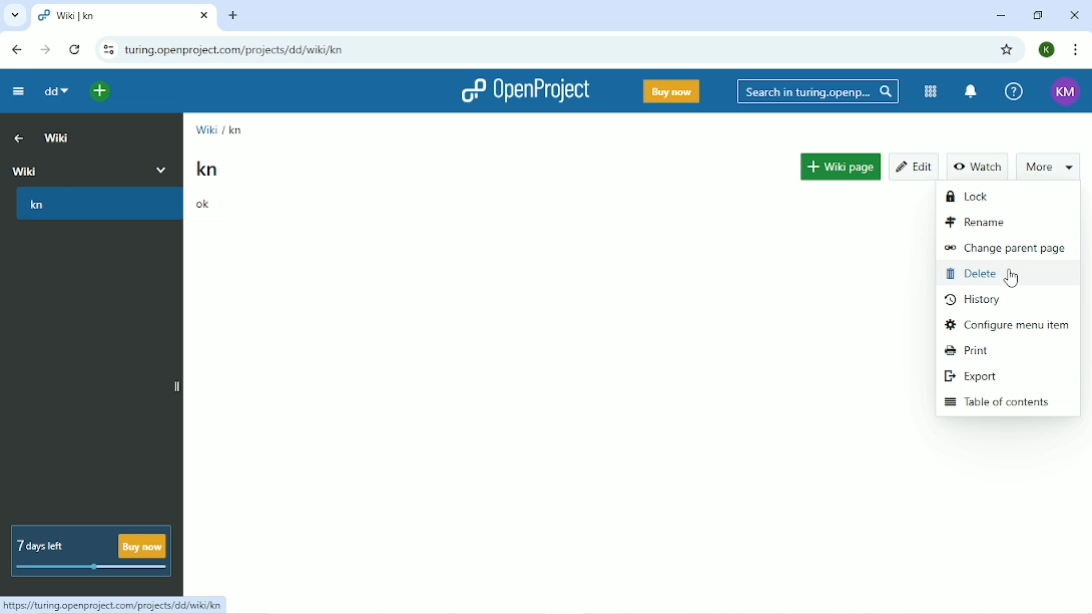  Describe the element at coordinates (973, 300) in the screenshot. I see `History` at that location.